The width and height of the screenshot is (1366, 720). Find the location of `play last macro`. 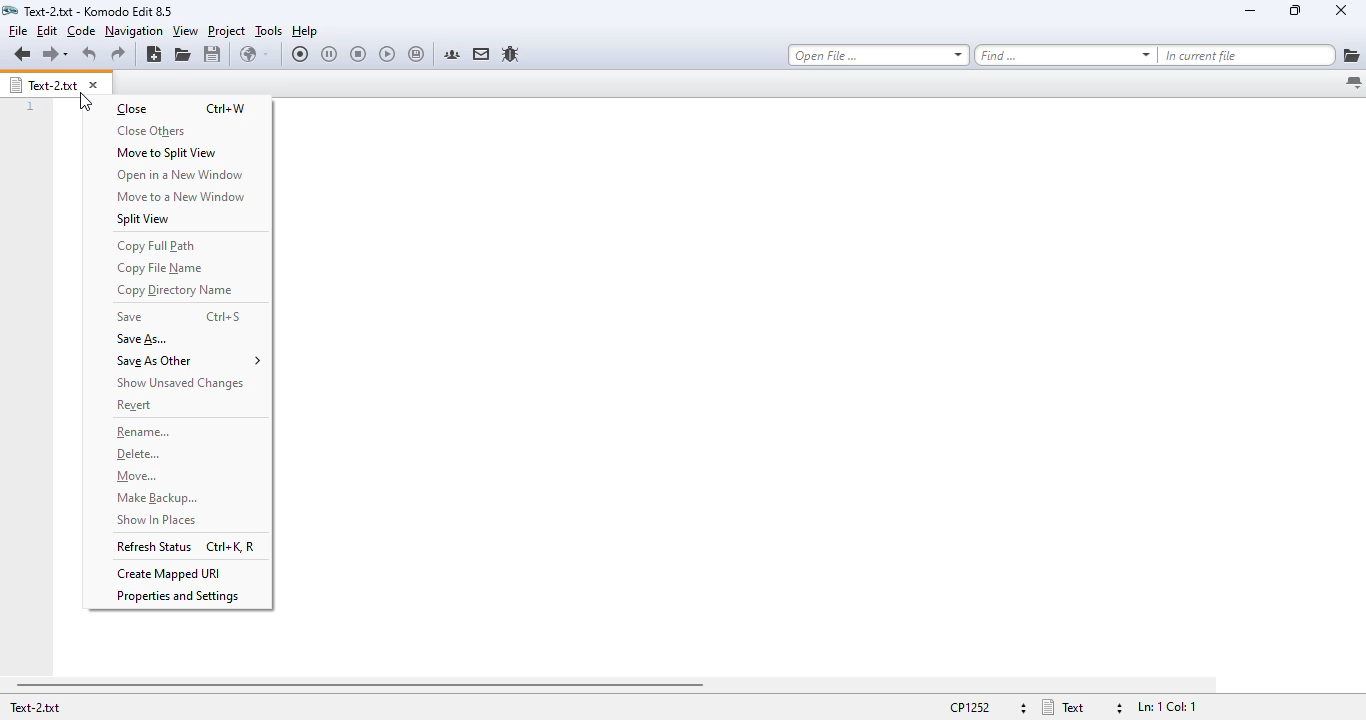

play last macro is located at coordinates (388, 55).